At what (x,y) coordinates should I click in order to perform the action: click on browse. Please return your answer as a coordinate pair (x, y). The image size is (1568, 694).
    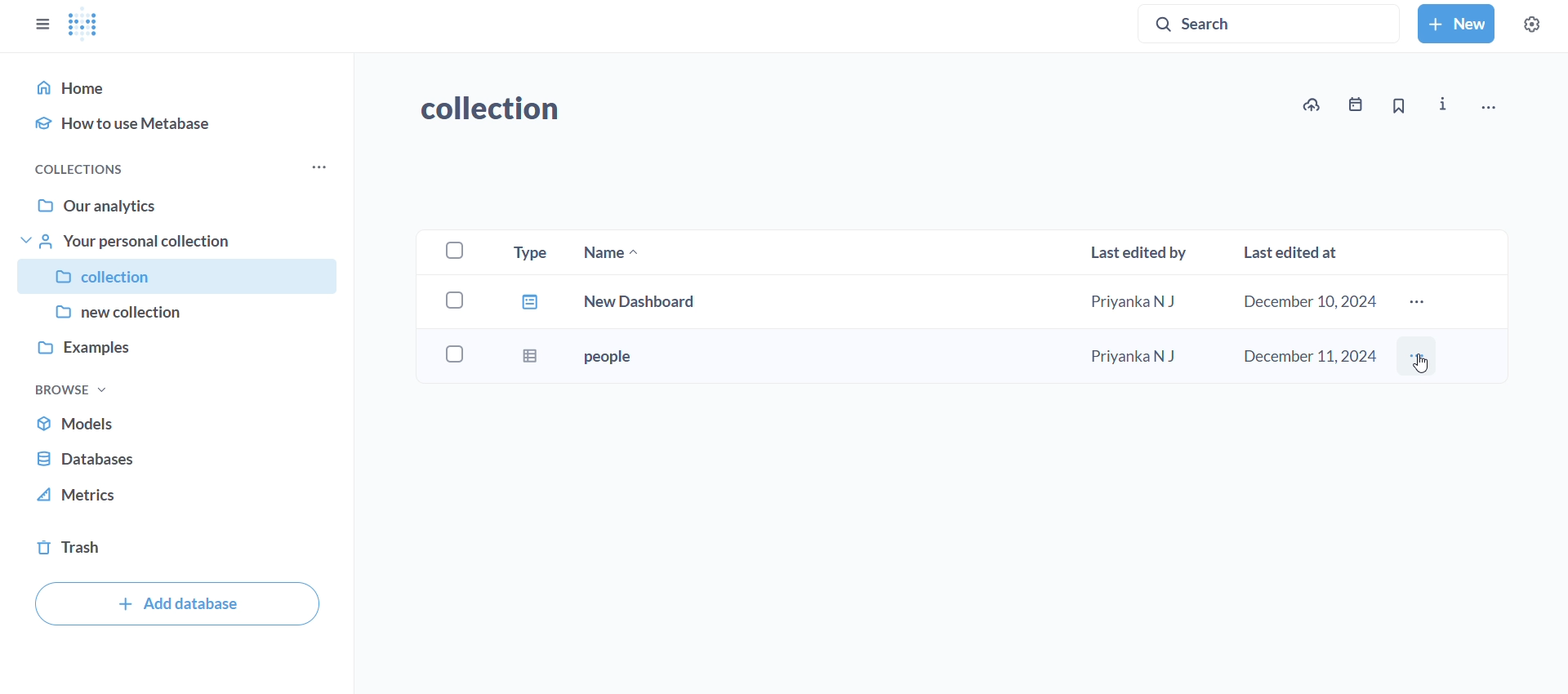
    Looking at the image, I should click on (71, 389).